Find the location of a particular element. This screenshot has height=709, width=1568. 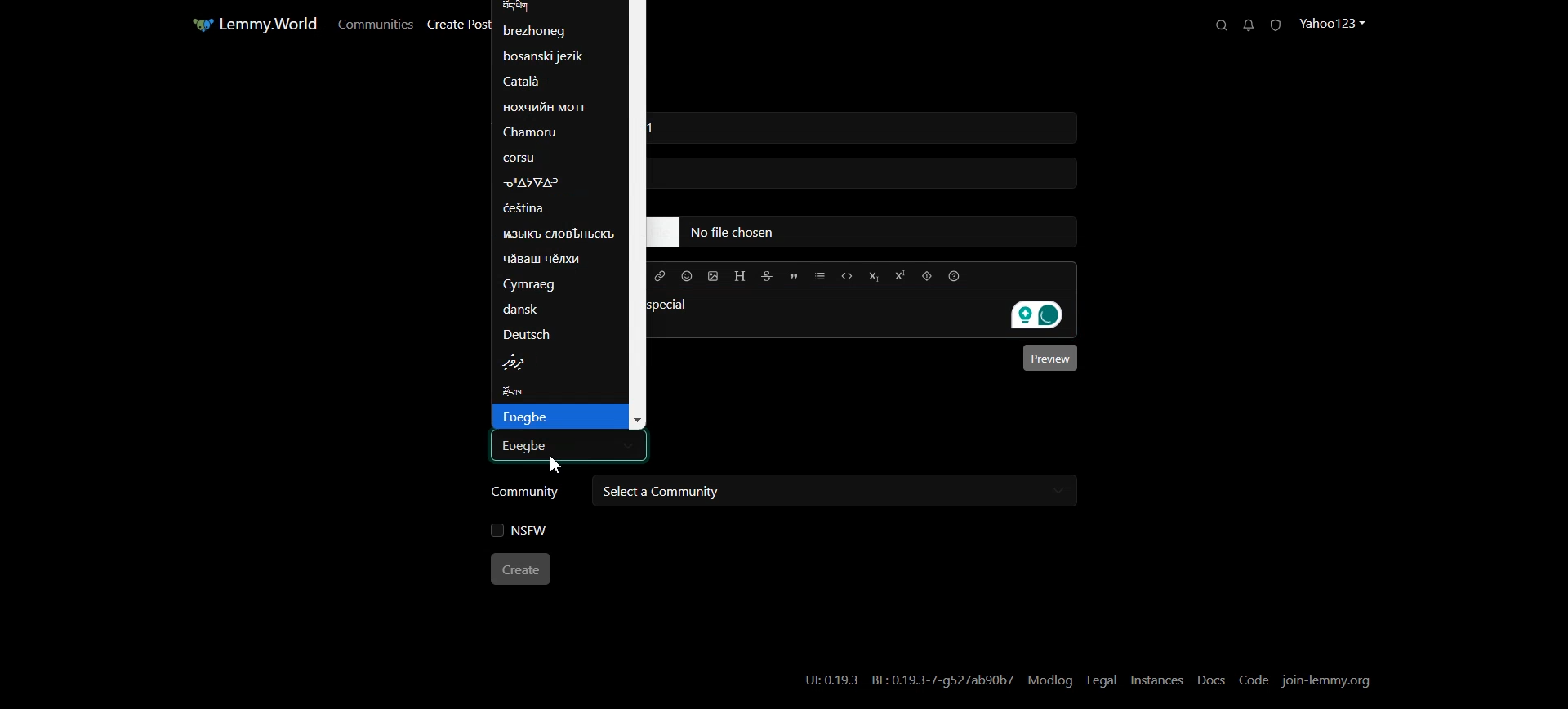

Quote is located at coordinates (794, 277).